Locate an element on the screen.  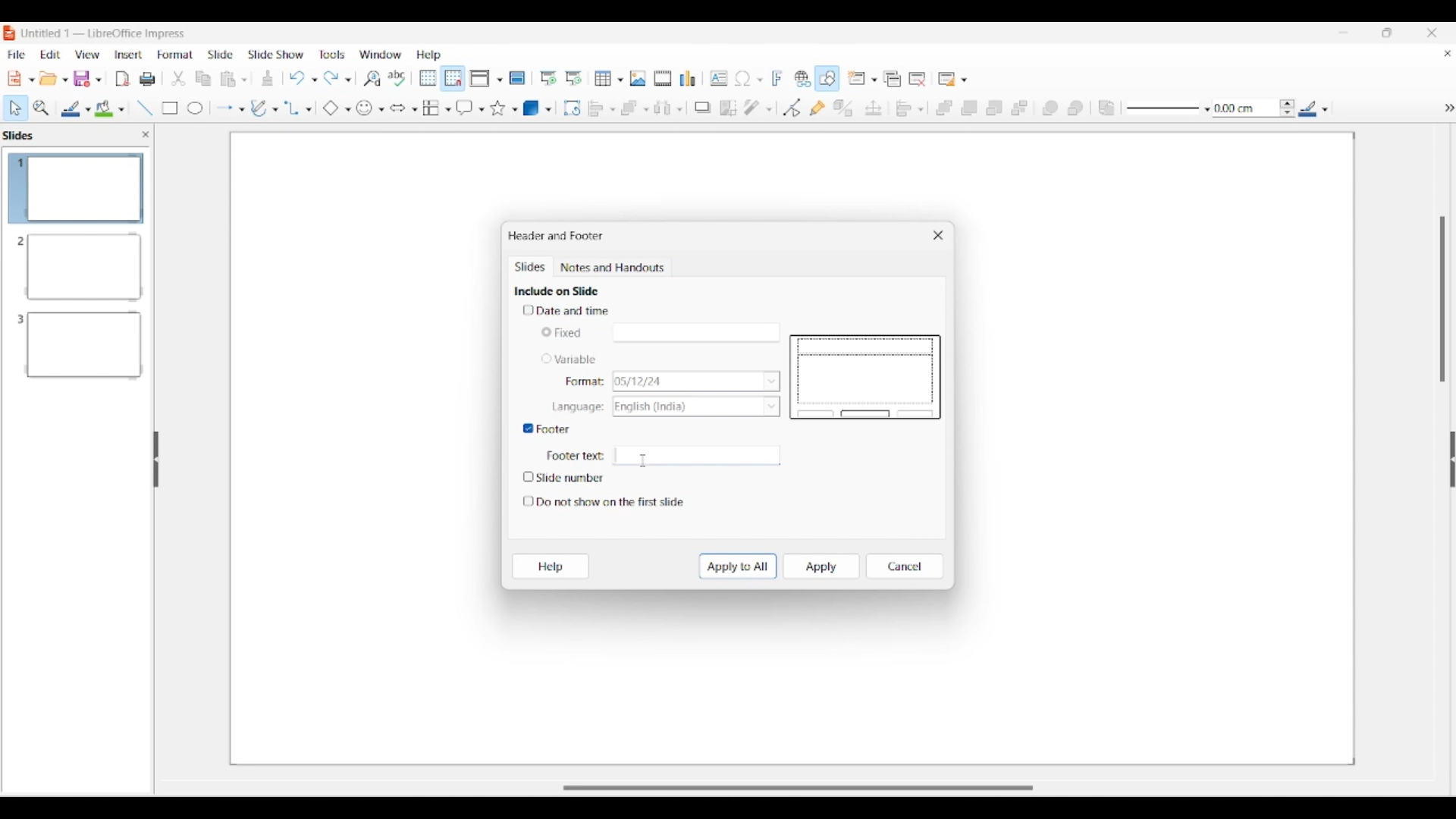
Close current document is located at coordinates (1448, 53).